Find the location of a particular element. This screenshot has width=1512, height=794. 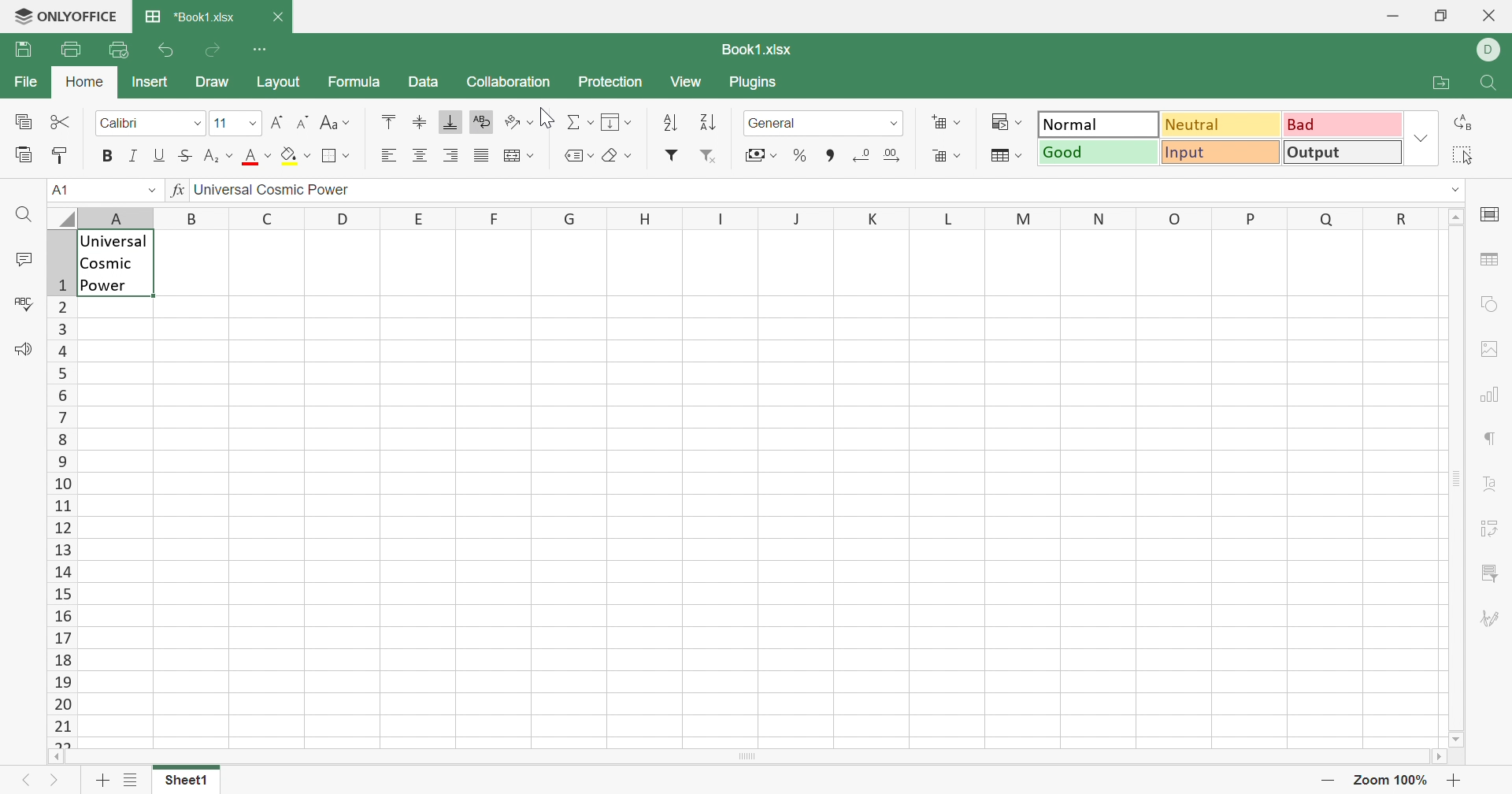

Feedback & Support is located at coordinates (24, 354).